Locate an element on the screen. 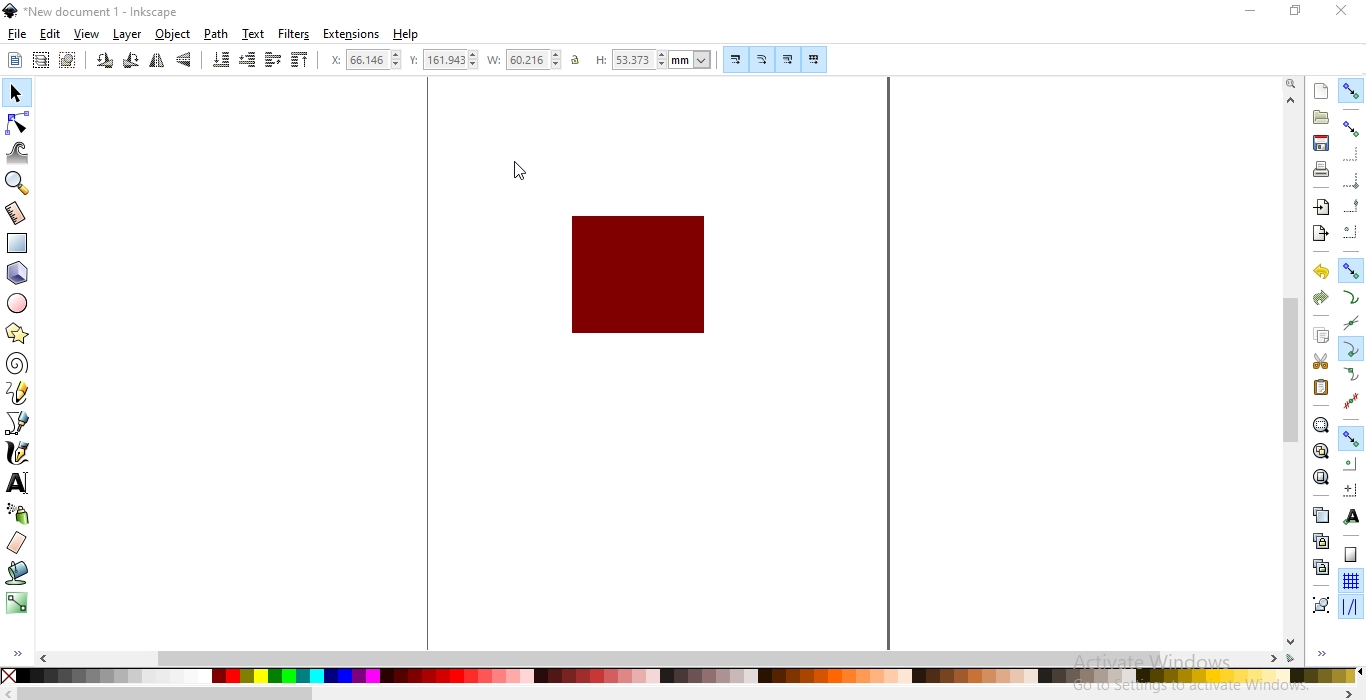 This screenshot has width=1366, height=700. 53.373 is located at coordinates (636, 60).